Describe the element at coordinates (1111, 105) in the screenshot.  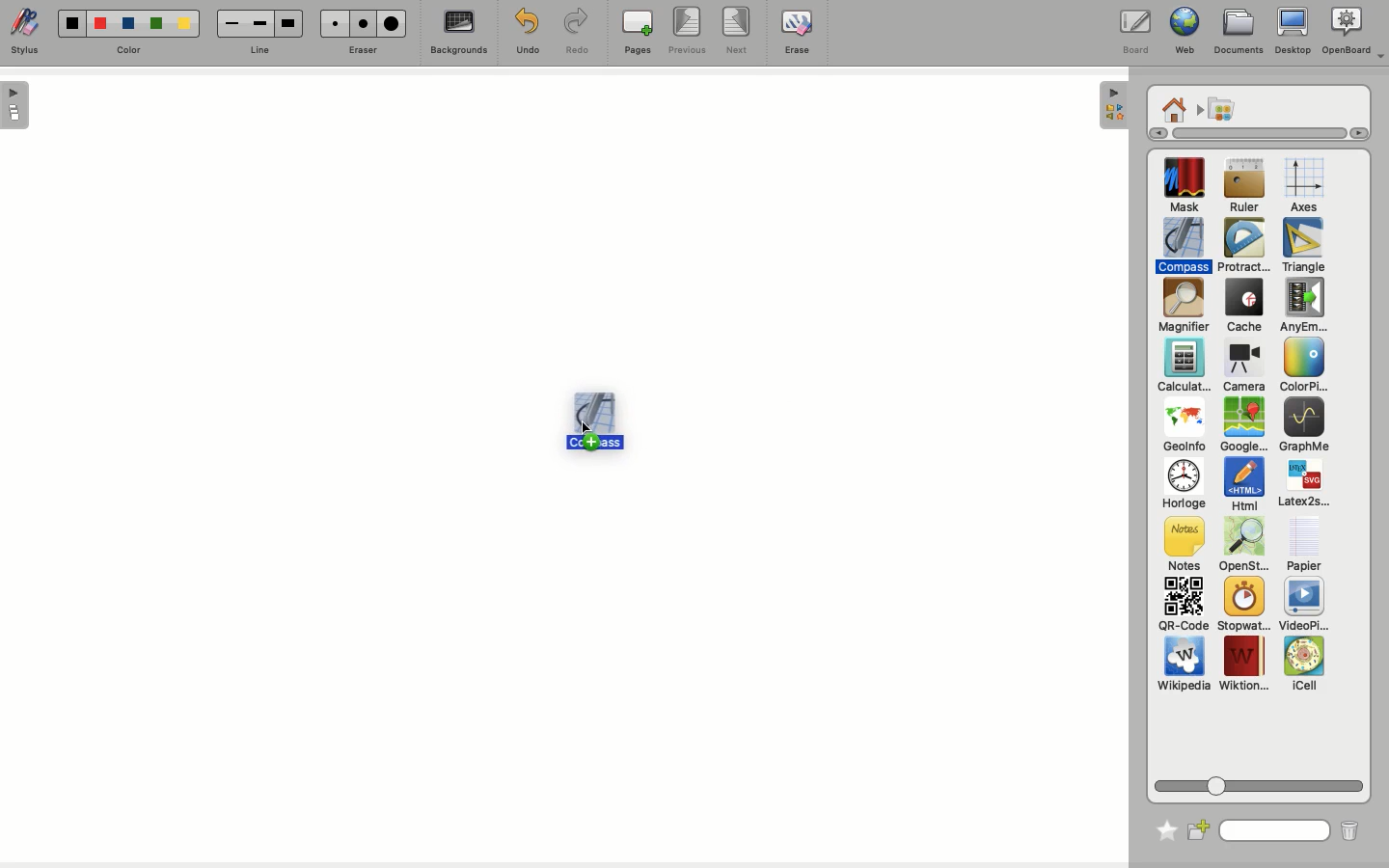
I see `hide sidebar` at that location.